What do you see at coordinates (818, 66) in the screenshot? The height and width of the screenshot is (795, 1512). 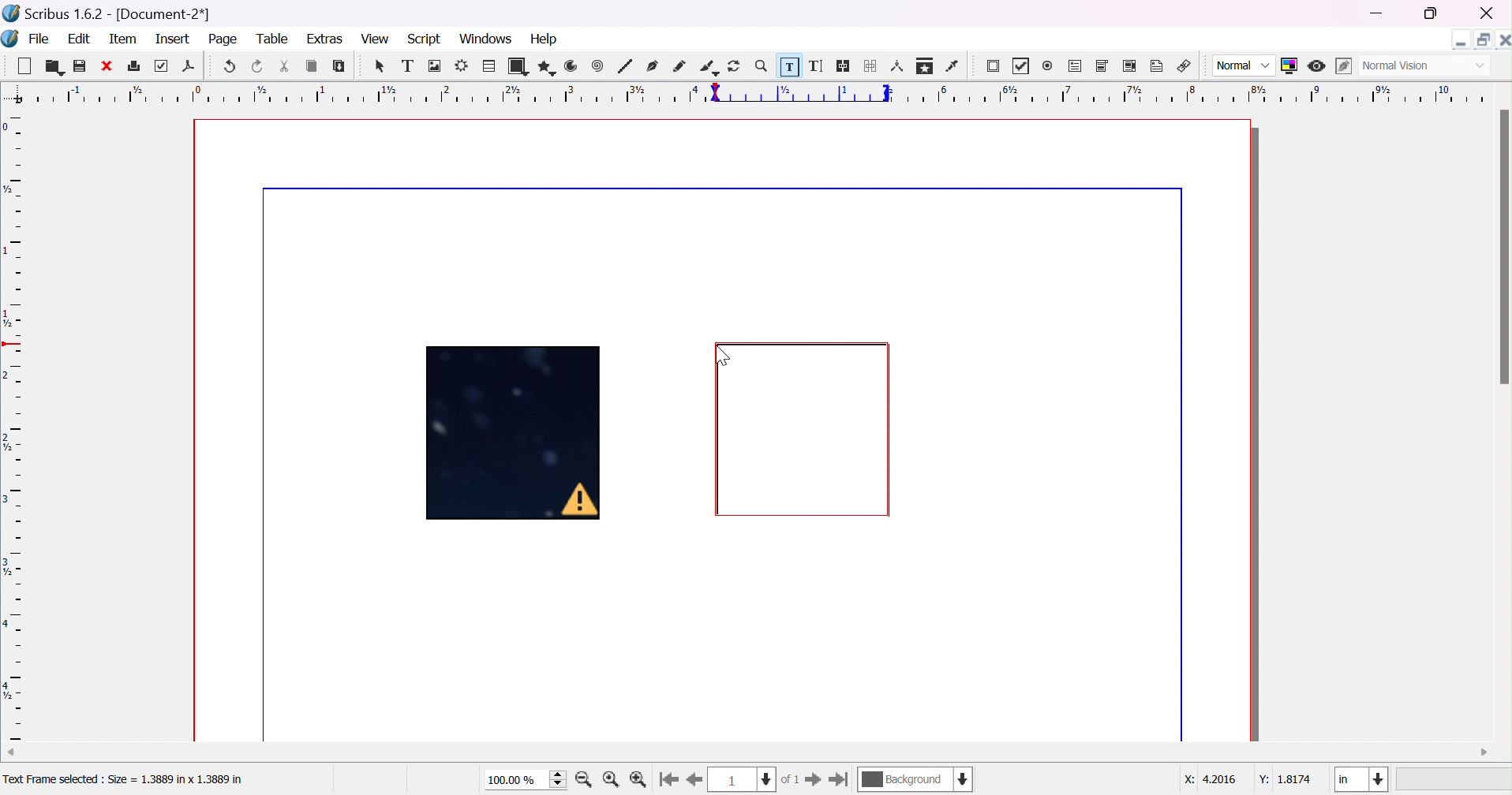 I see `edit text with story editor` at bounding box center [818, 66].